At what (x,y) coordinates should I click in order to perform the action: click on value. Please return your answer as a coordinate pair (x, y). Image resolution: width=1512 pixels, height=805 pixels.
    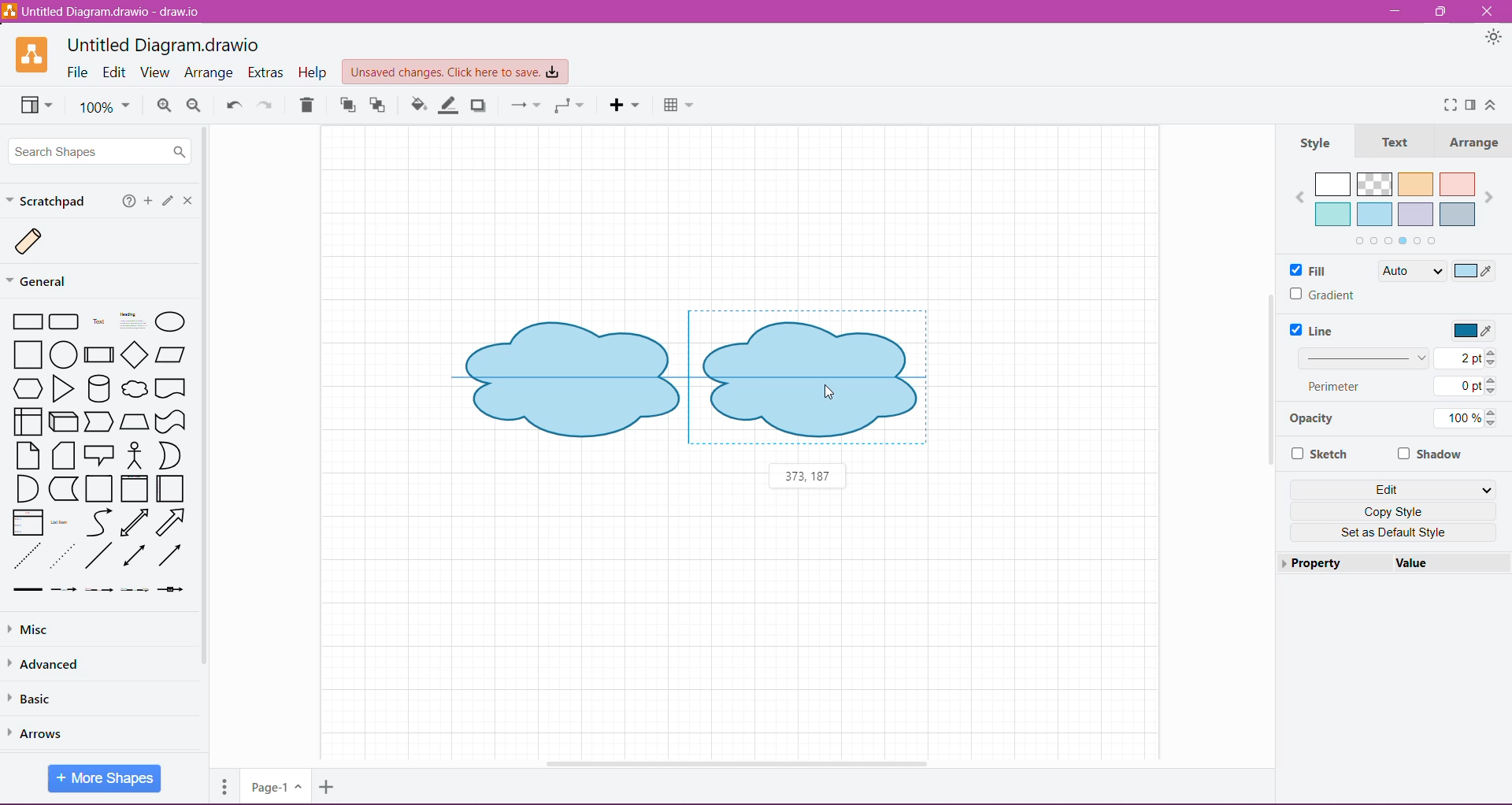
    Looking at the image, I should click on (1448, 562).